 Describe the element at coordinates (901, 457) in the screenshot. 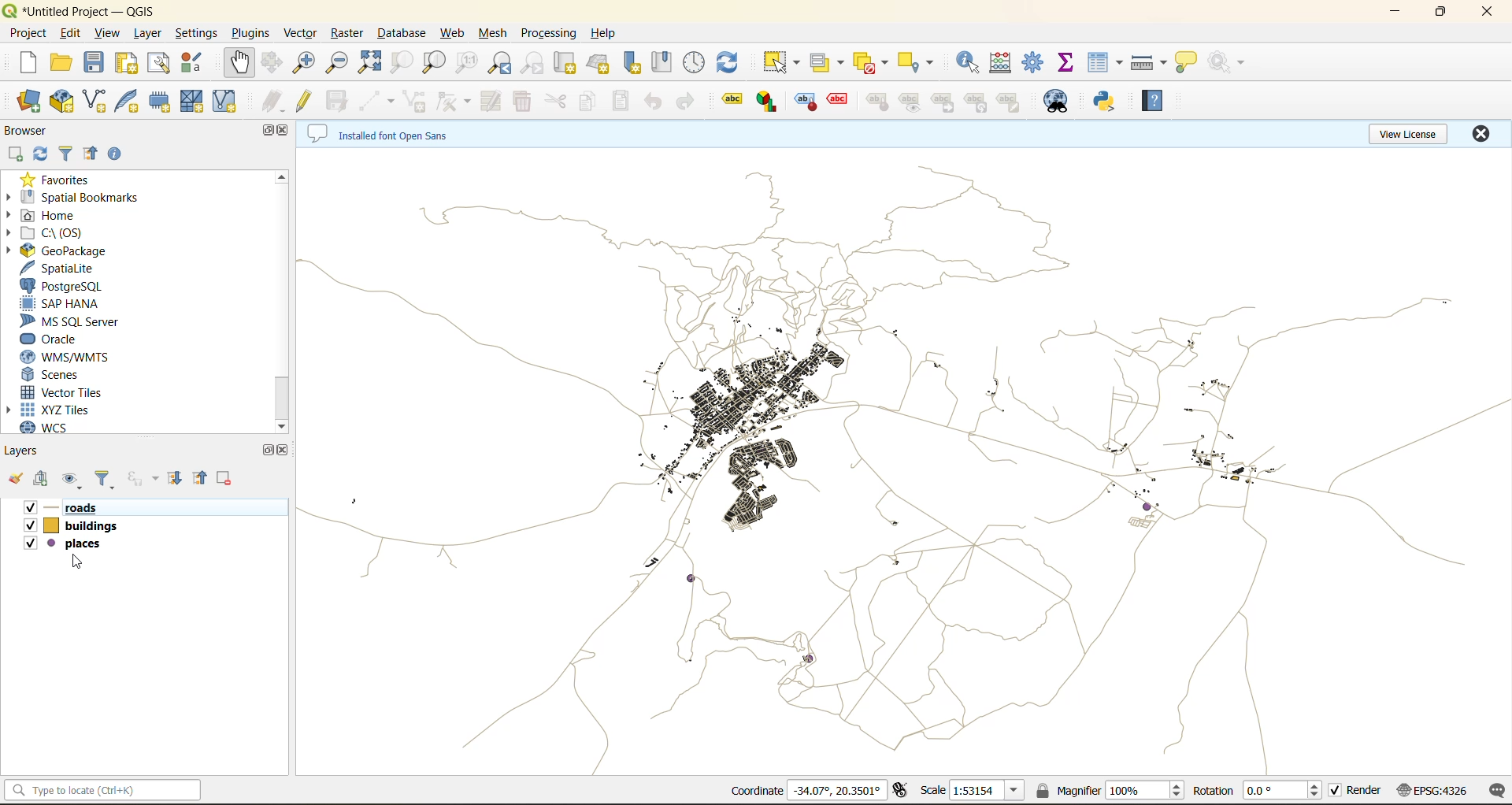

I see `layers` at that location.